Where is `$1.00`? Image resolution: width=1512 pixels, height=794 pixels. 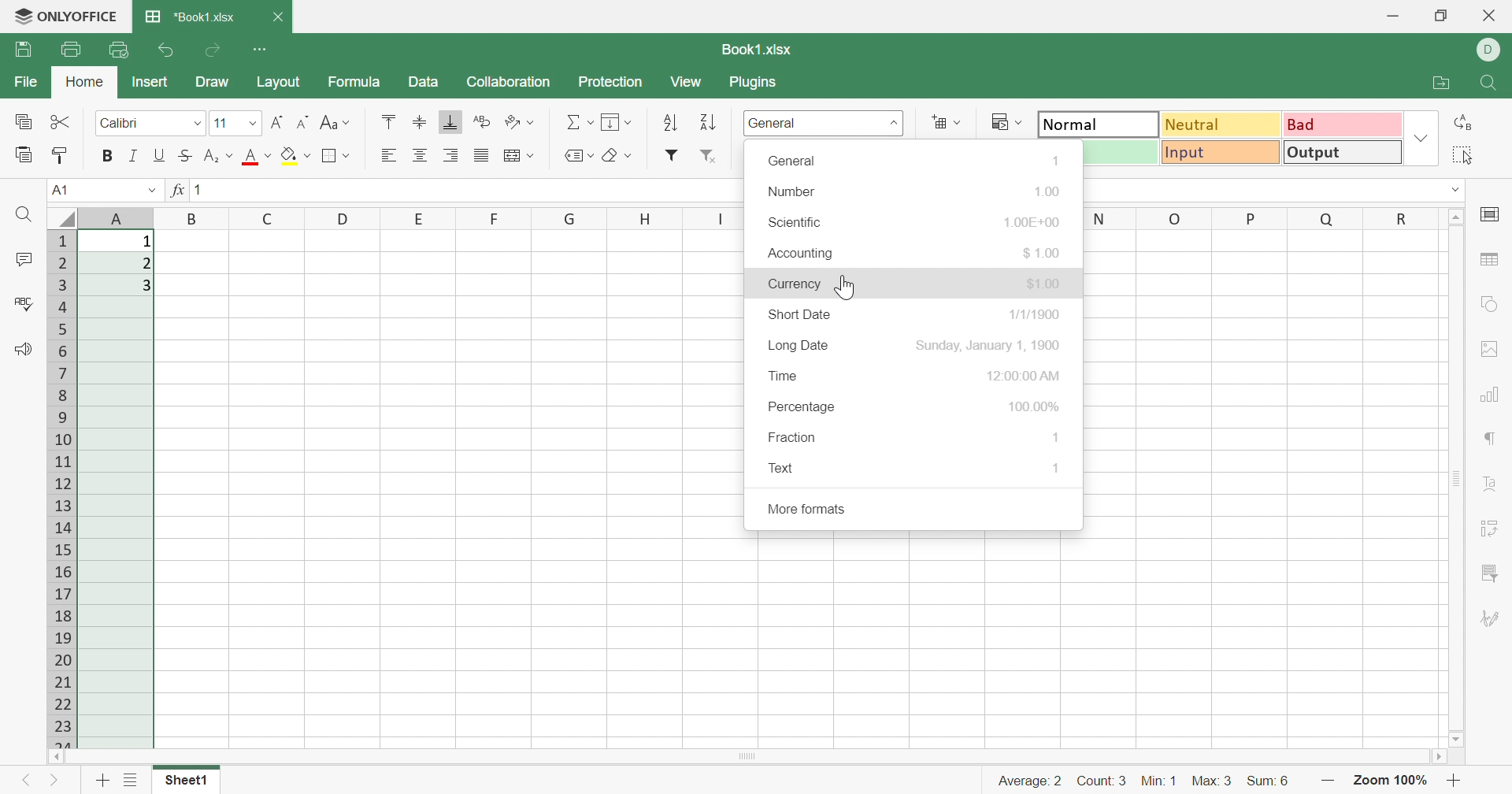
$1.00 is located at coordinates (1047, 283).